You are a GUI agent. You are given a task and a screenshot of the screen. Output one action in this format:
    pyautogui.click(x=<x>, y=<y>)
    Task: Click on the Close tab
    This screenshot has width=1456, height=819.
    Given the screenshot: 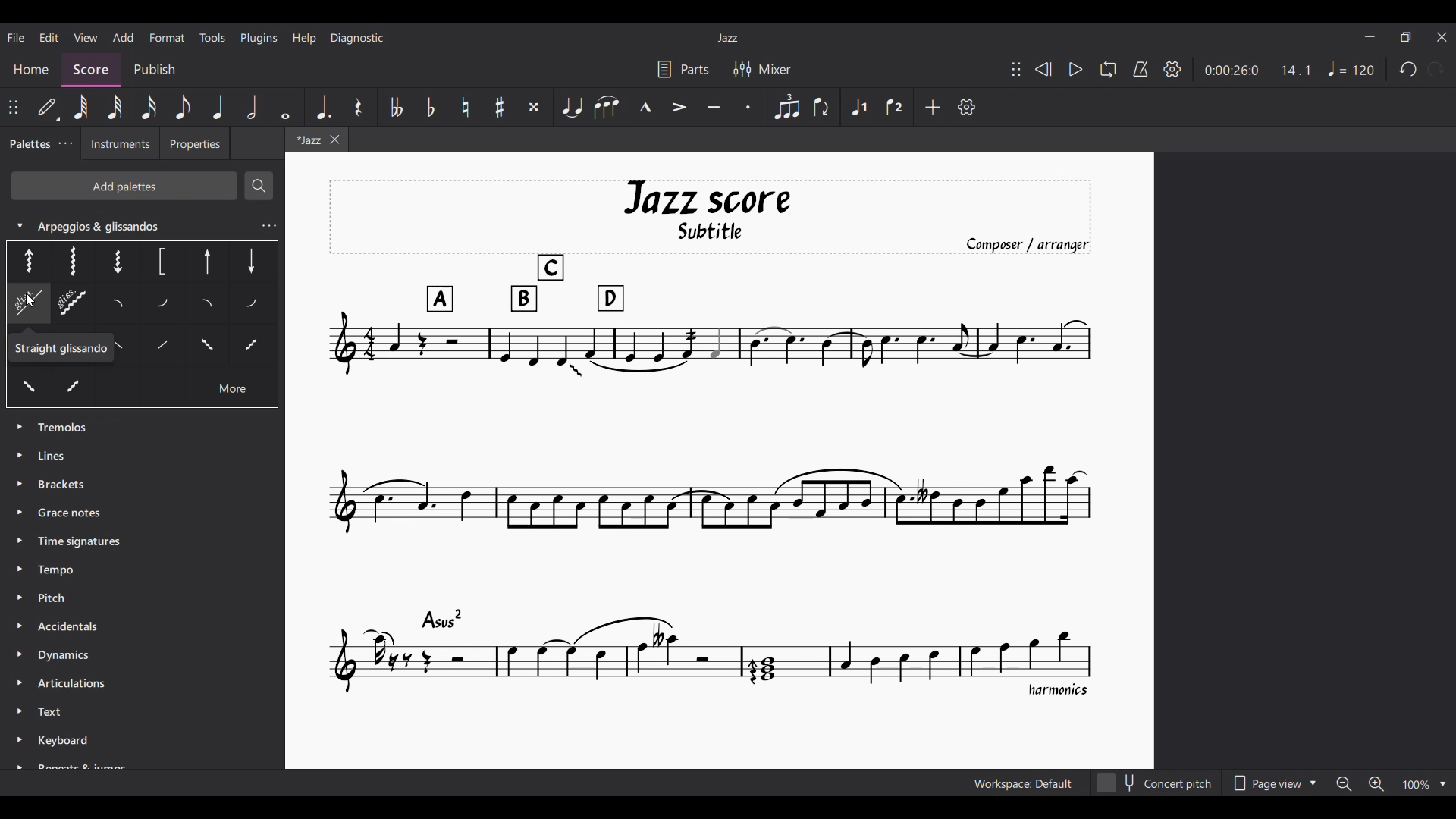 What is the action you would take?
    pyautogui.click(x=334, y=140)
    